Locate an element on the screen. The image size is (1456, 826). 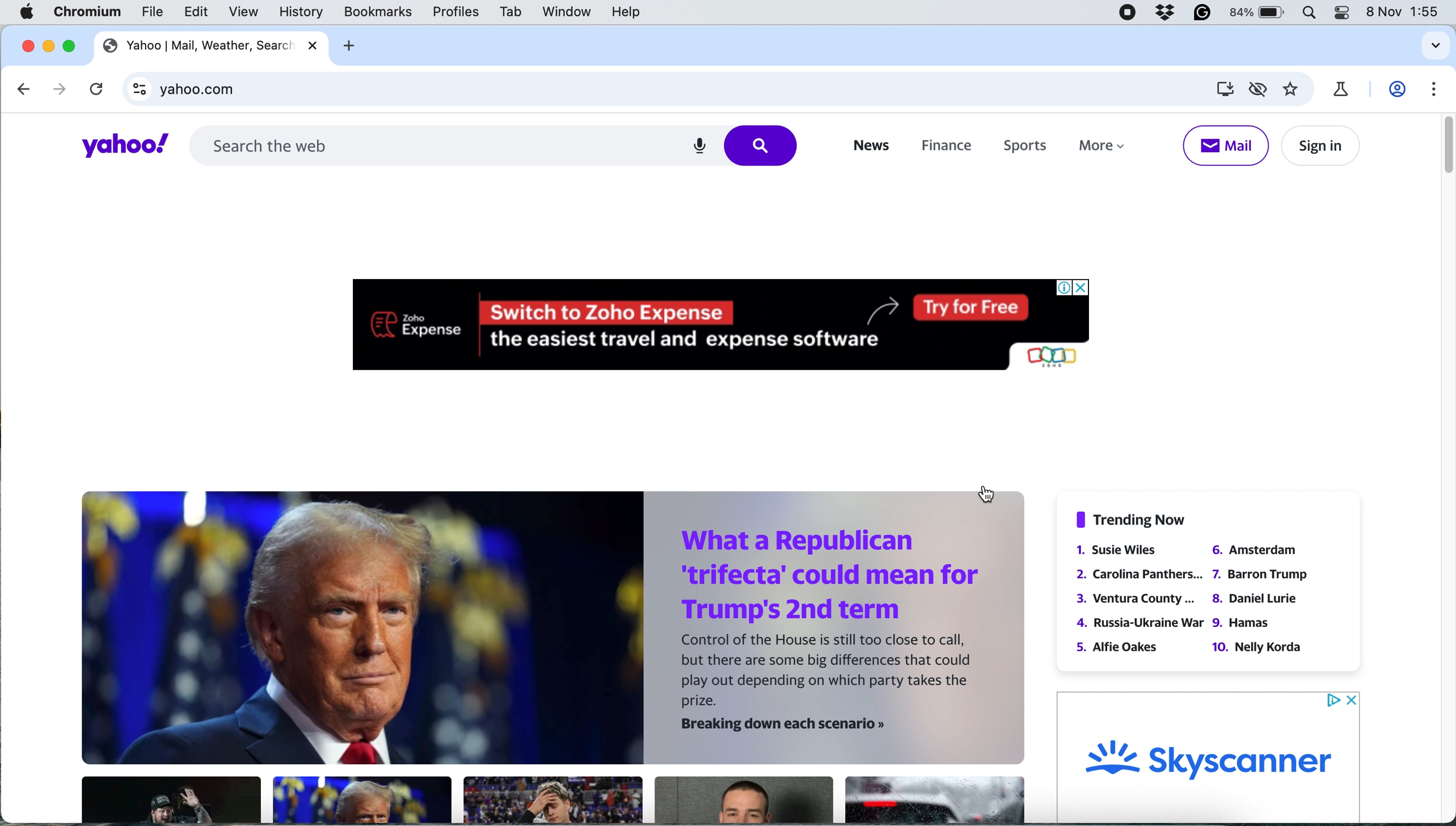
file is located at coordinates (155, 12).